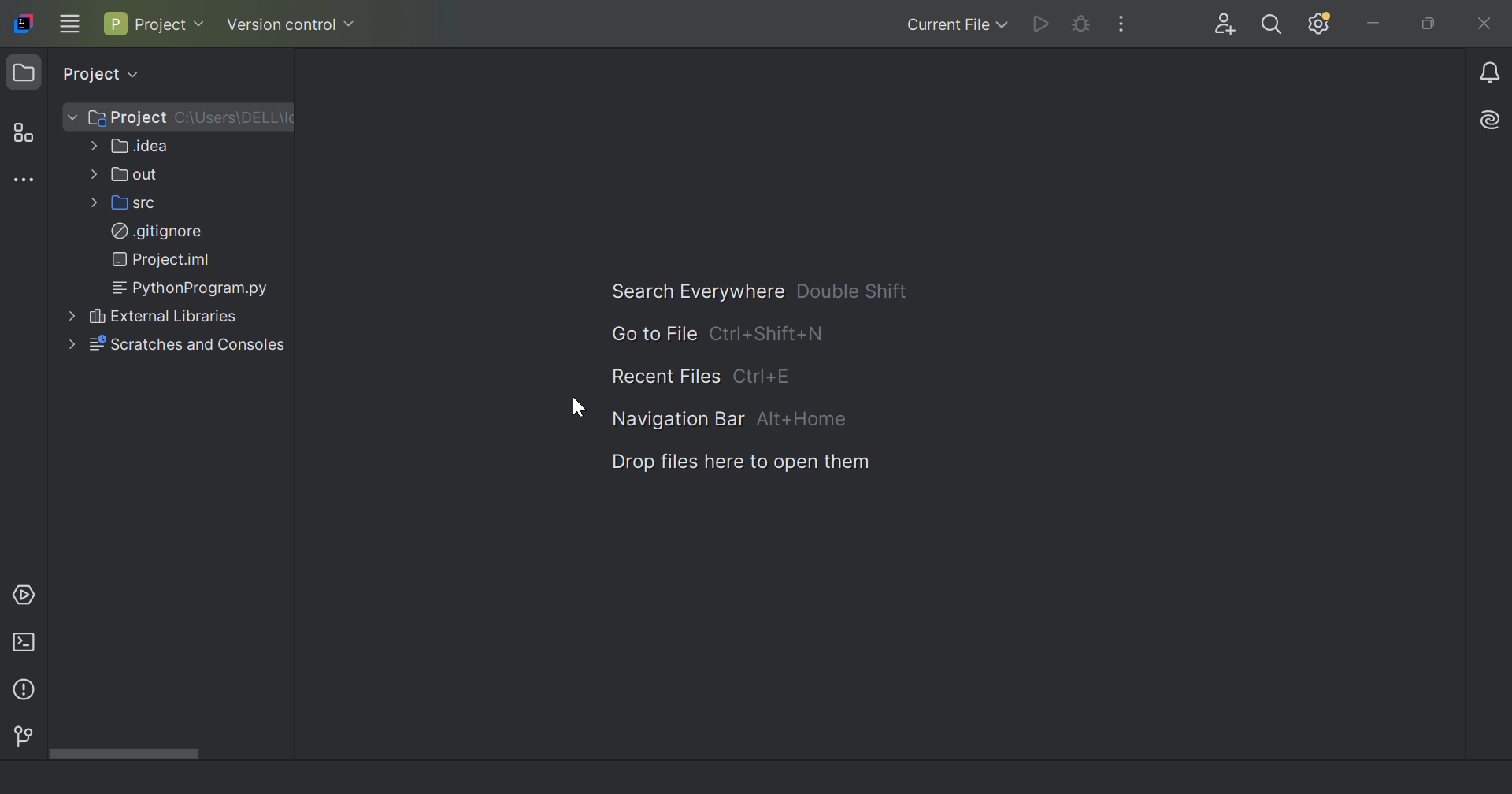  What do you see at coordinates (676, 421) in the screenshot?
I see `Navigation bar` at bounding box center [676, 421].